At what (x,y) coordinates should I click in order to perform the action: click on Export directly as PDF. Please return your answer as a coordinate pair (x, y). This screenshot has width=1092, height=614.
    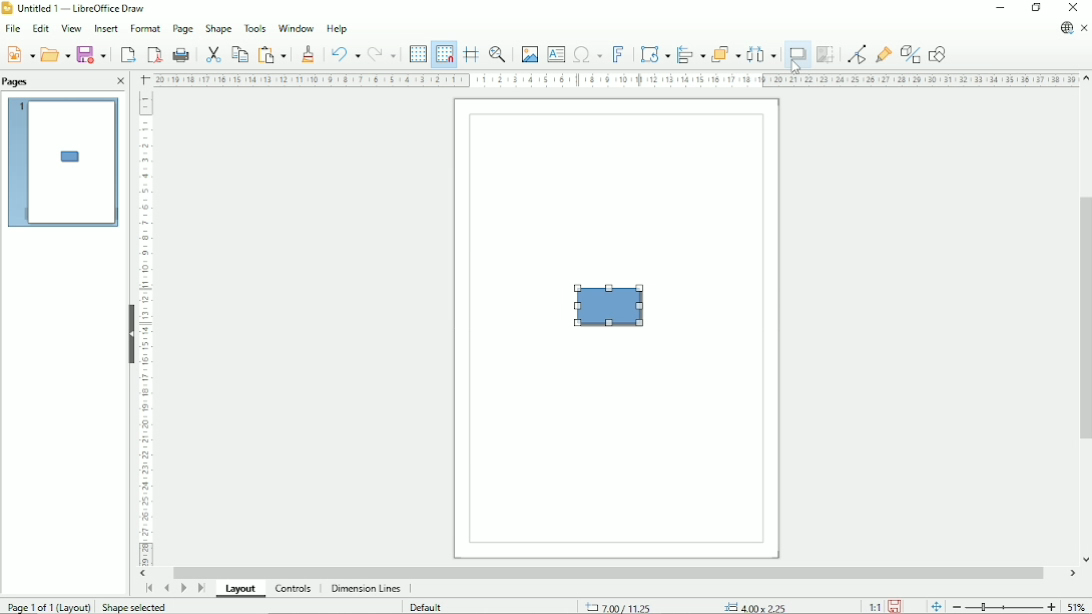
    Looking at the image, I should click on (154, 54).